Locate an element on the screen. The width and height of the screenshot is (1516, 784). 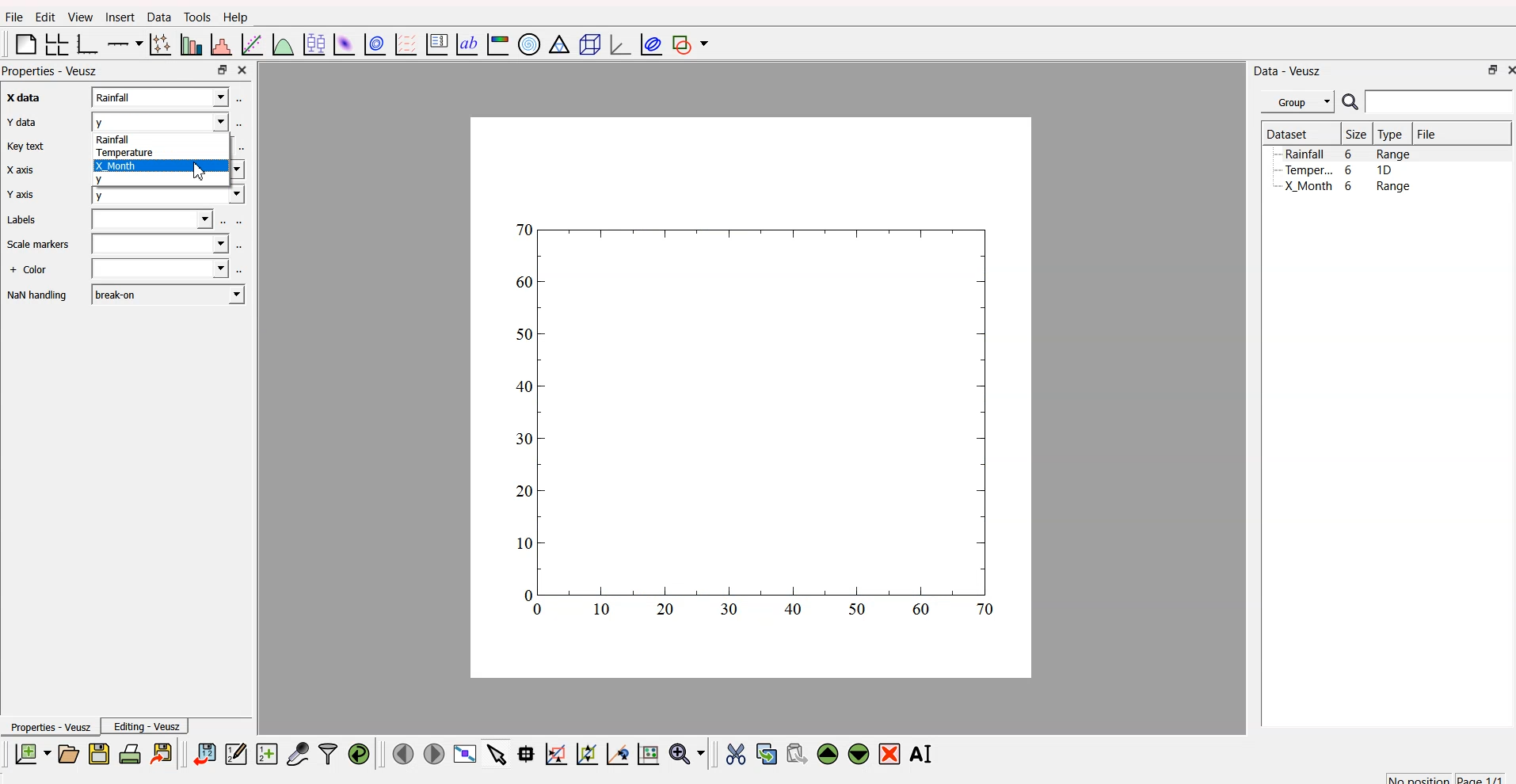
plot a vector field is located at coordinates (404, 45).